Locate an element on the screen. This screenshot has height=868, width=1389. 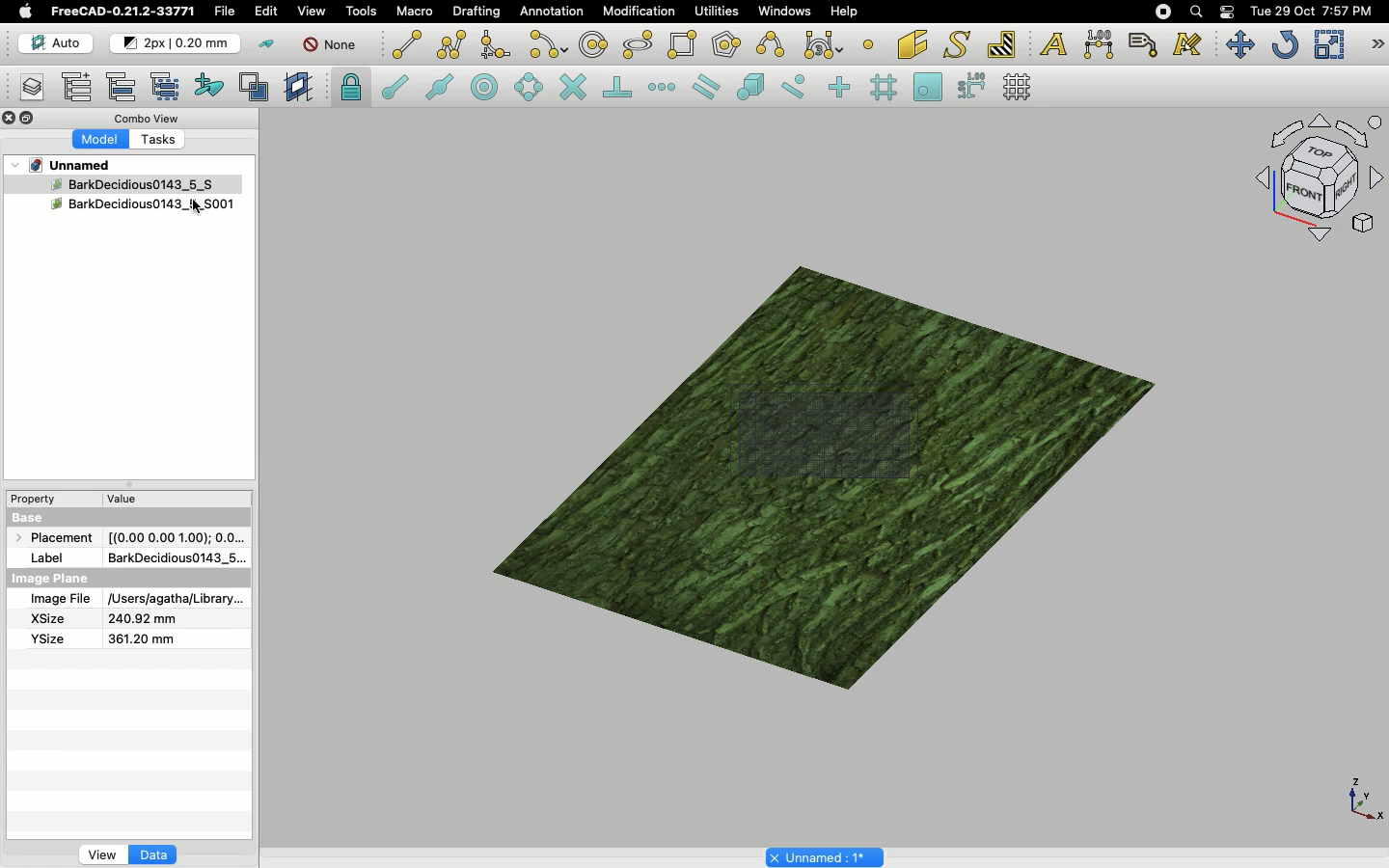
View is located at coordinates (312, 10).